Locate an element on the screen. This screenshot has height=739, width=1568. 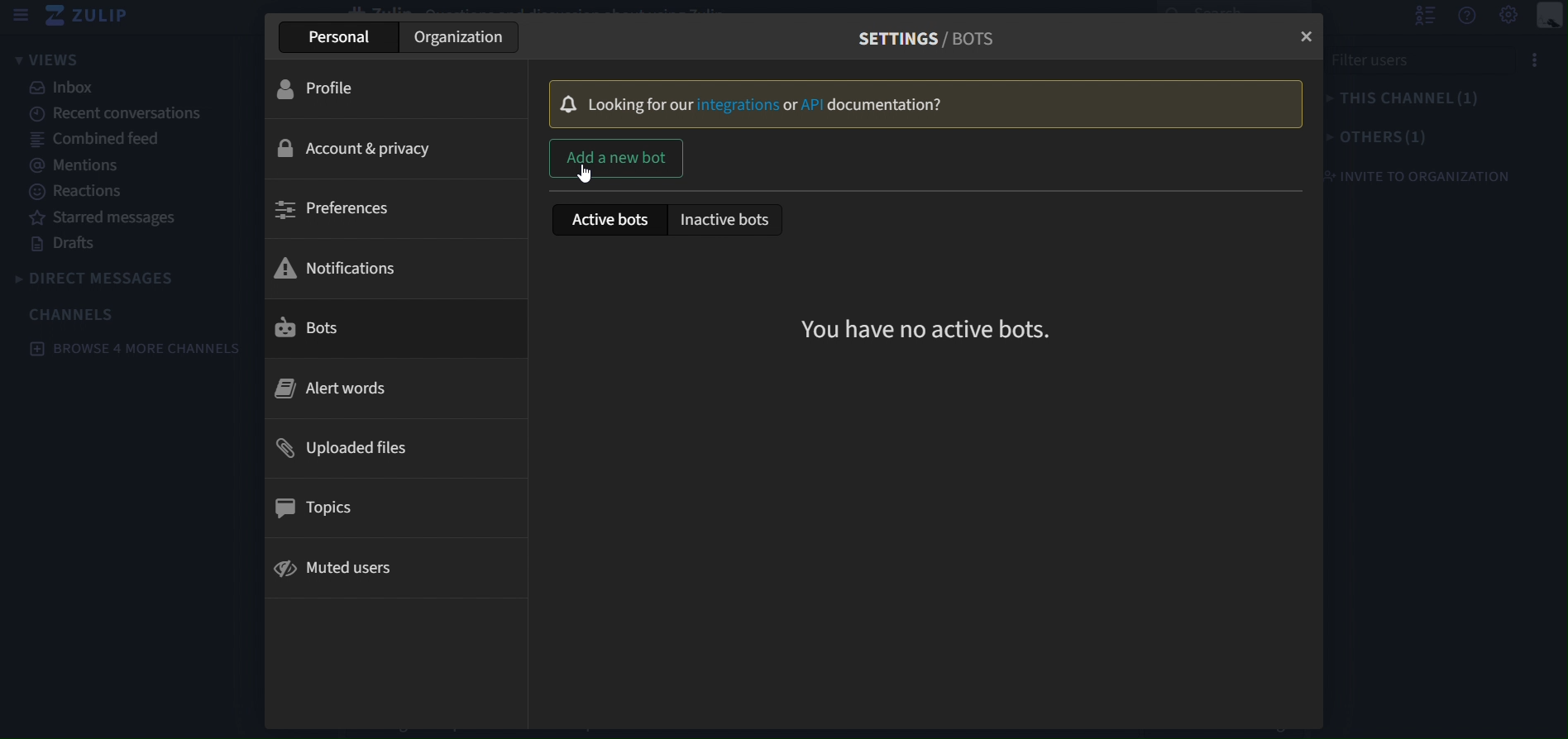
others is located at coordinates (1377, 139).